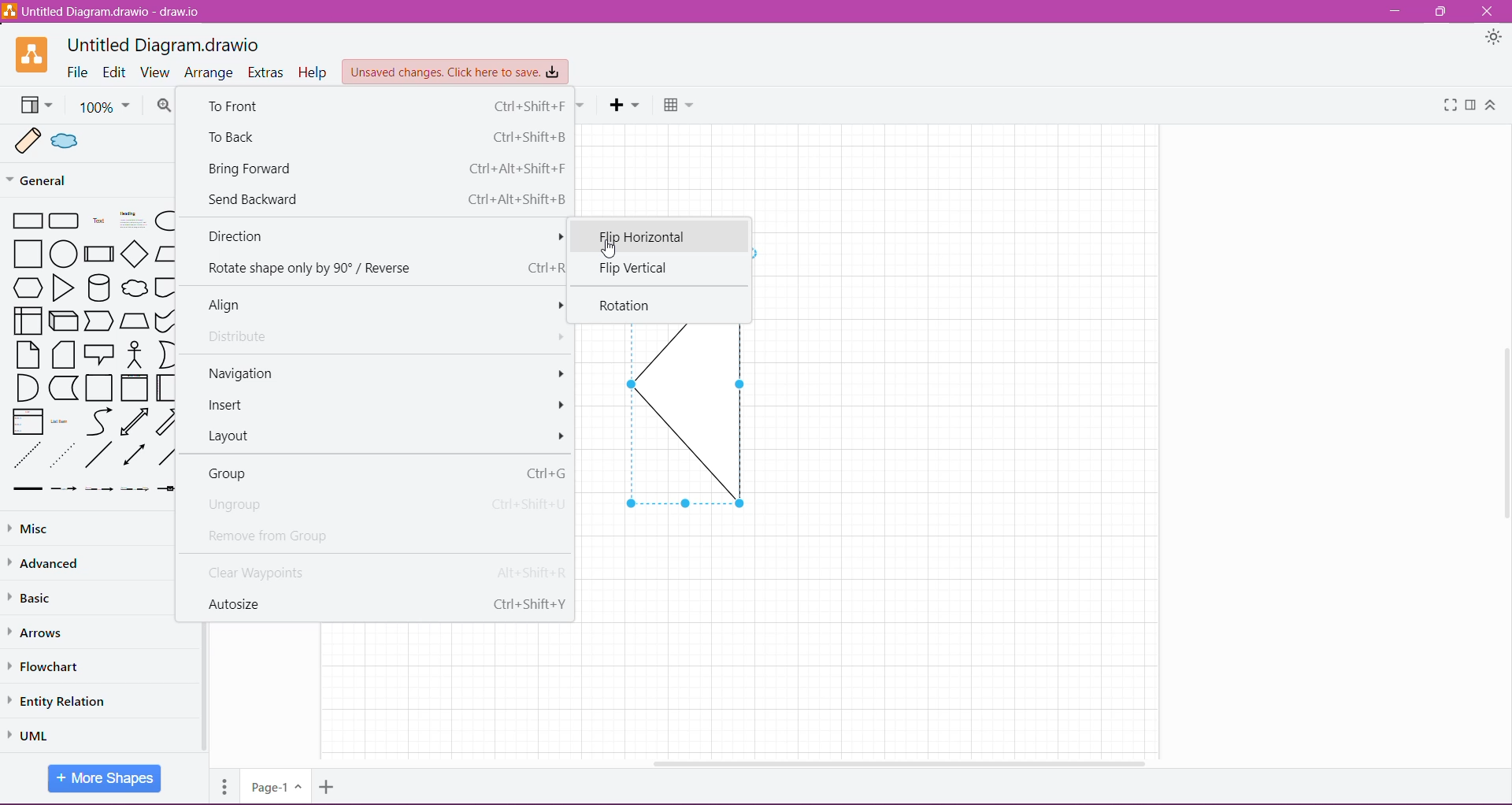  What do you see at coordinates (71, 529) in the screenshot?
I see `Misc` at bounding box center [71, 529].